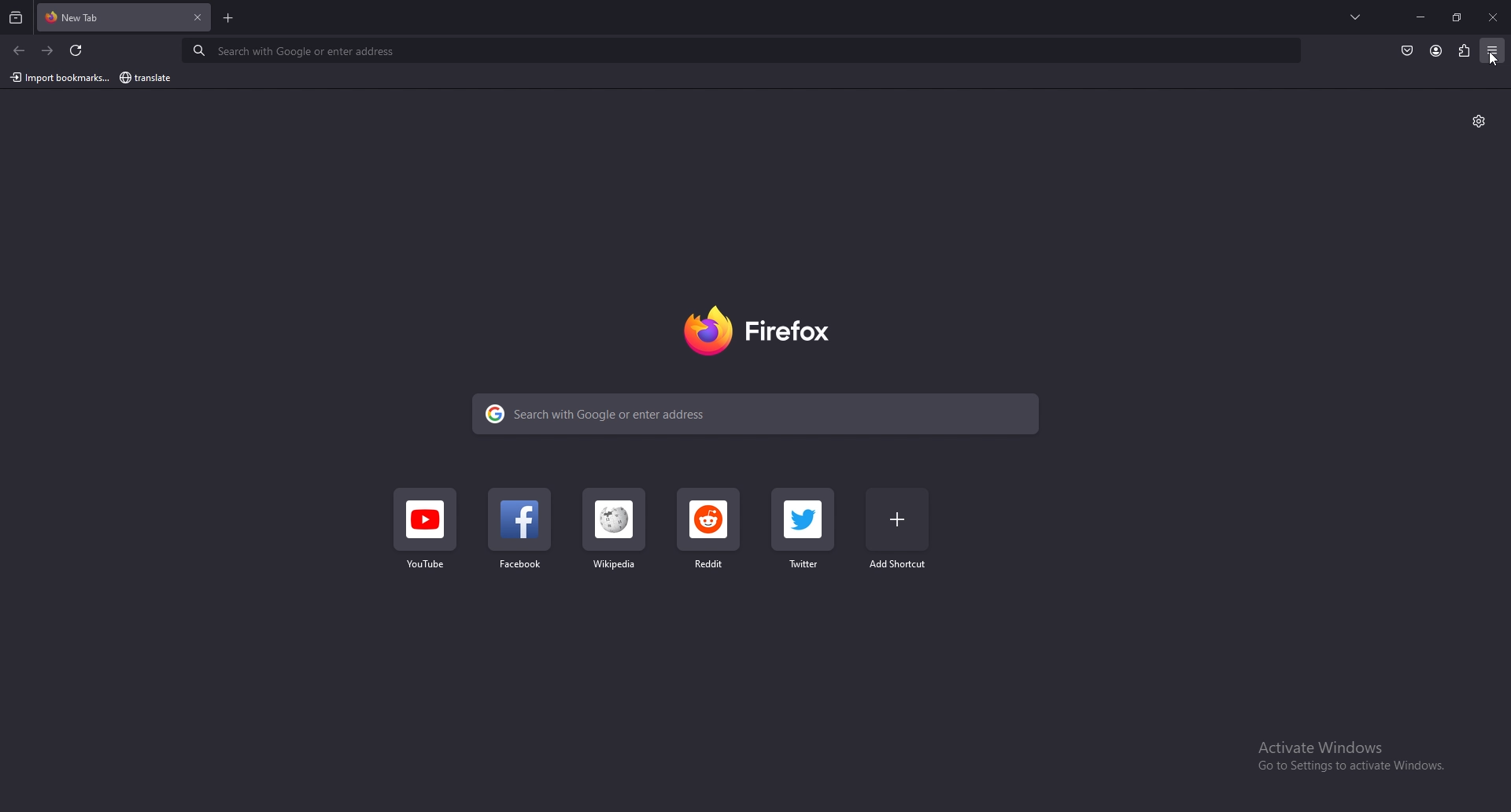  Describe the element at coordinates (759, 414) in the screenshot. I see `search bar` at that location.